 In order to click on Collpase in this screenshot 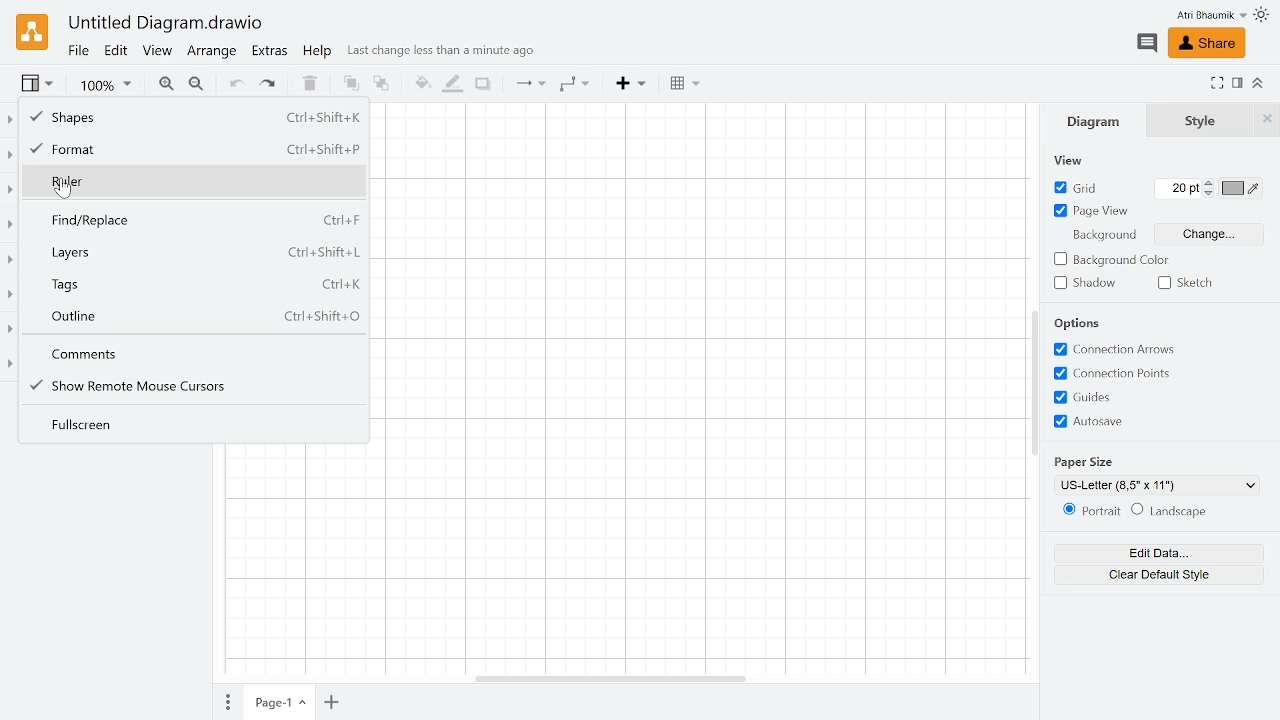, I will do `click(1256, 85)`.